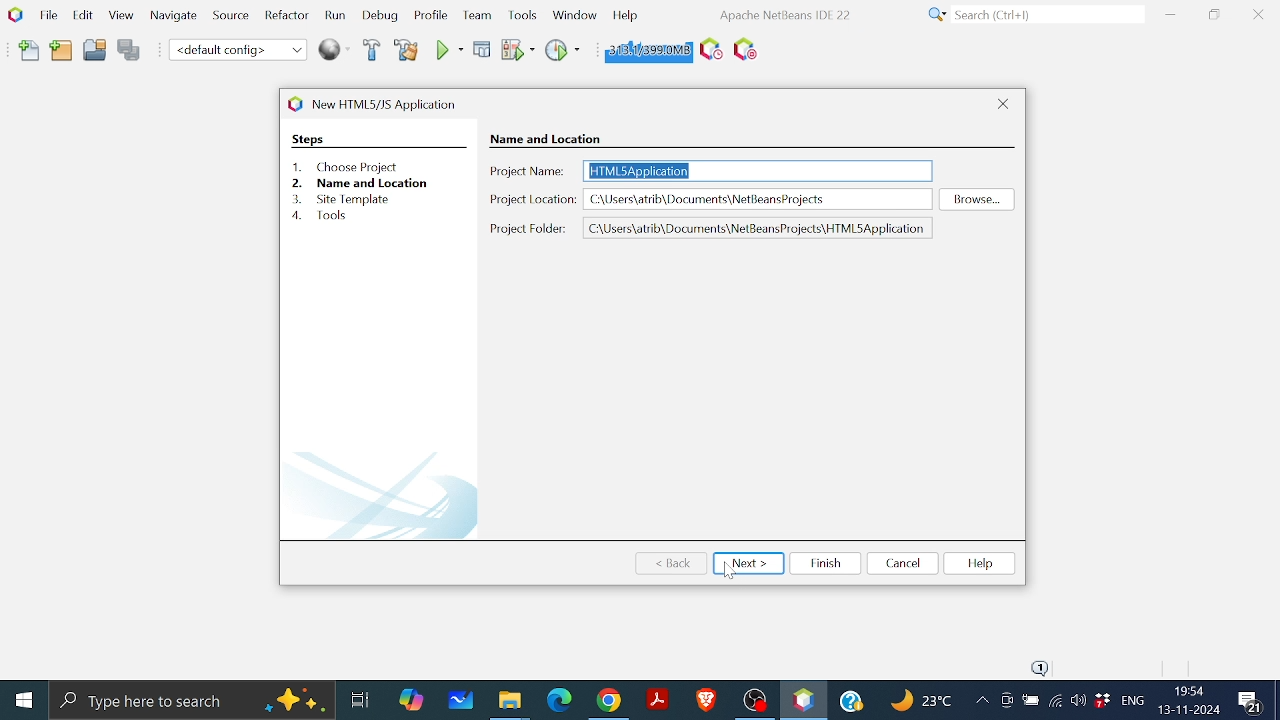 This screenshot has height=720, width=1280. What do you see at coordinates (526, 170) in the screenshot?
I see `Project Name:` at bounding box center [526, 170].